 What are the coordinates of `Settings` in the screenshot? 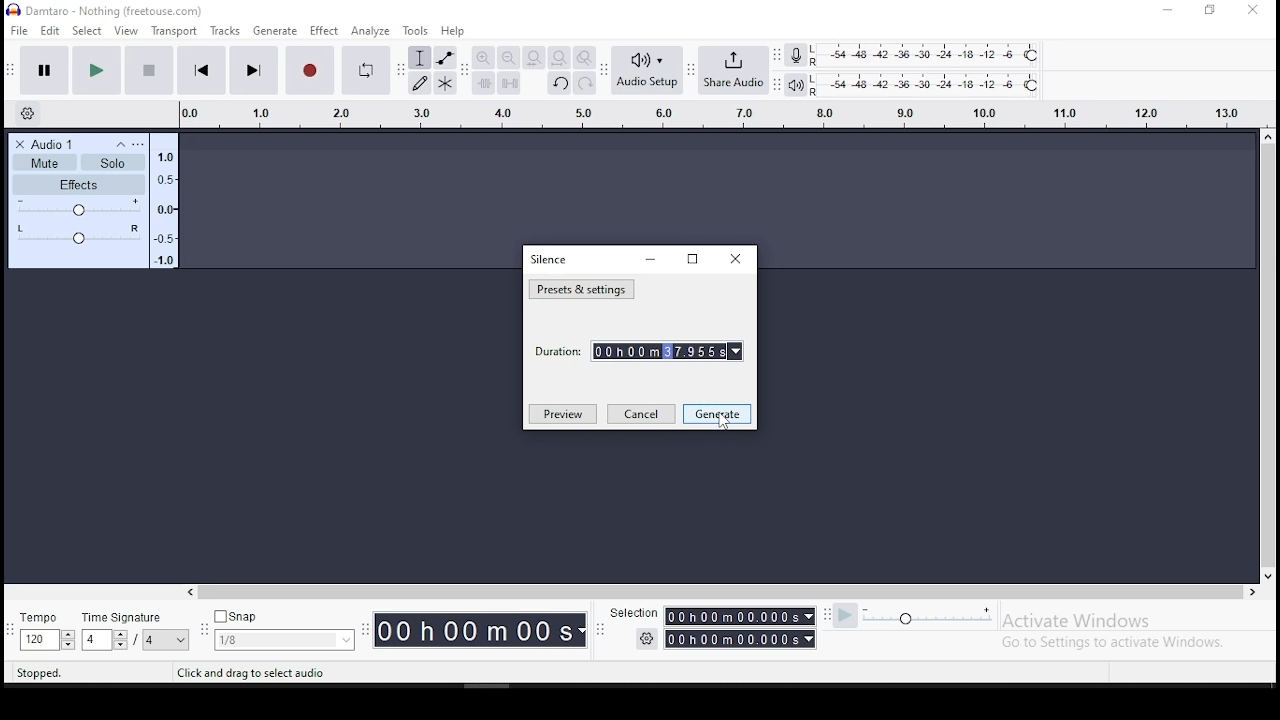 It's located at (129, 143).